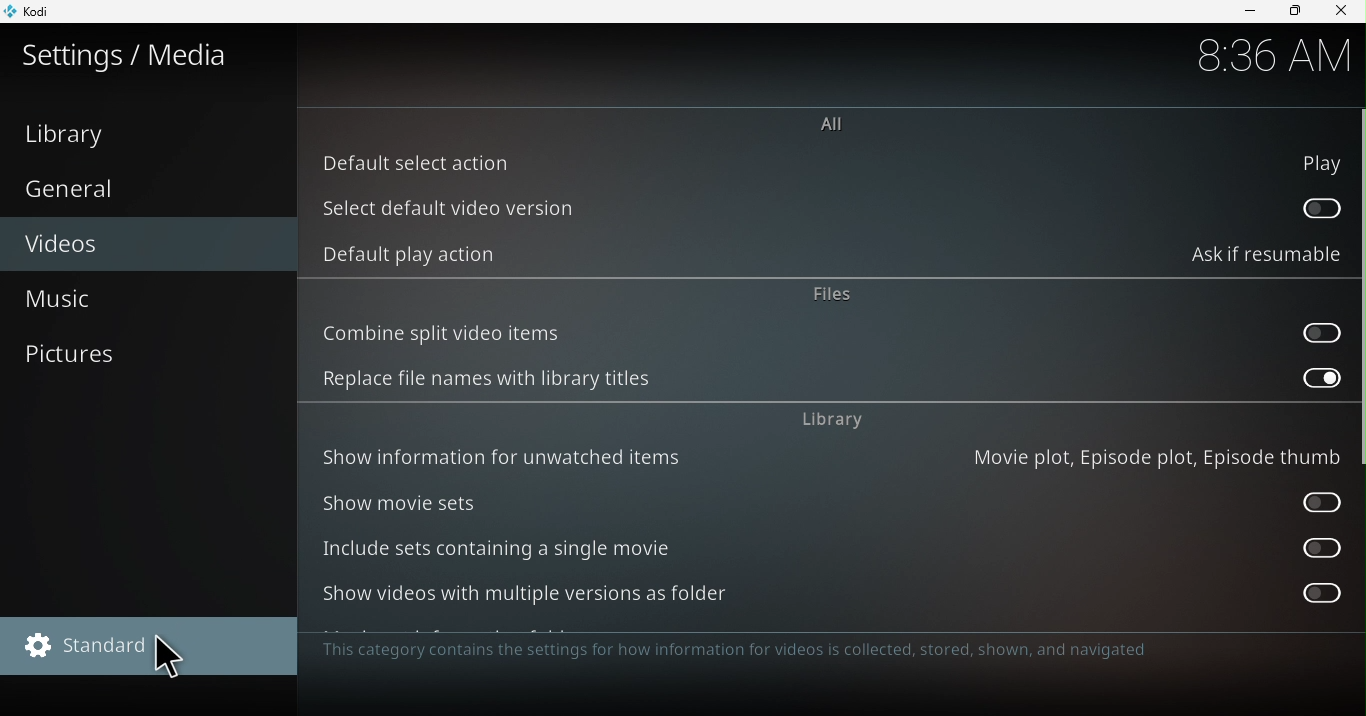 This screenshot has height=716, width=1366. Describe the element at coordinates (173, 661) in the screenshot. I see `cursor` at that location.